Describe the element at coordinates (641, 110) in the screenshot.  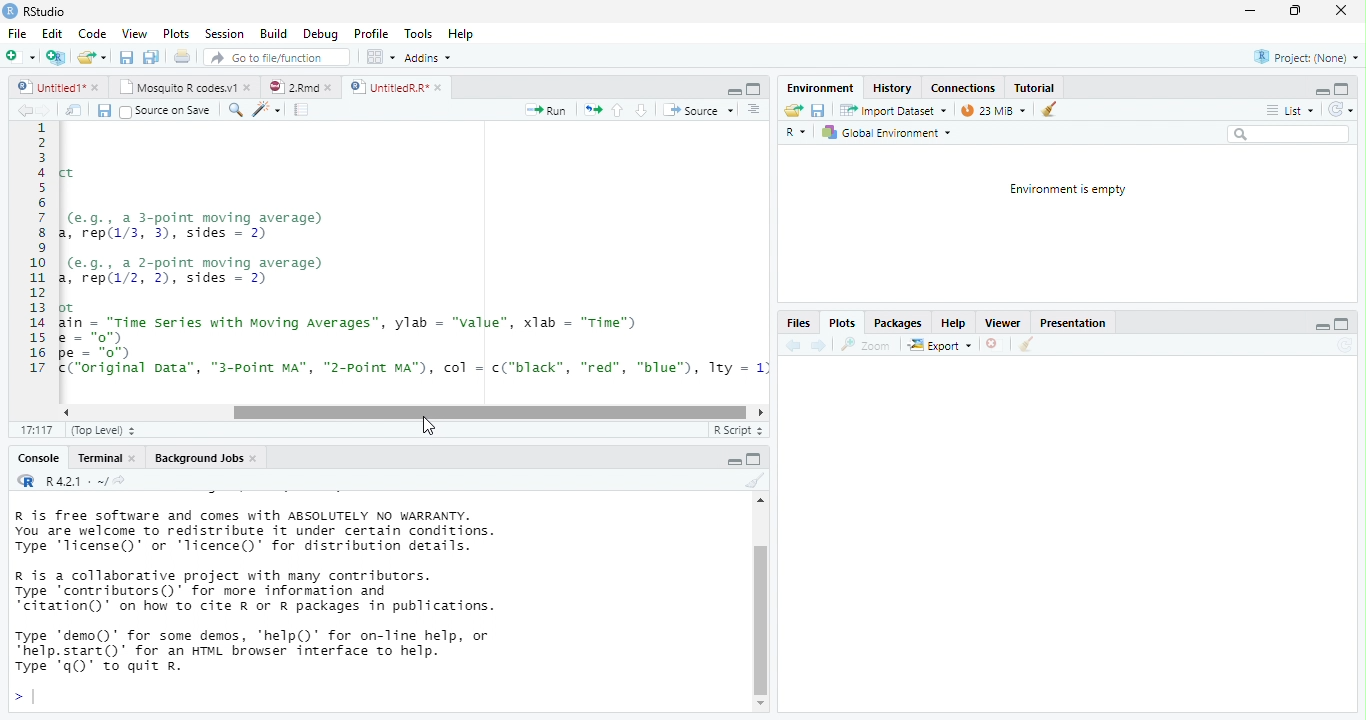
I see `down` at that location.